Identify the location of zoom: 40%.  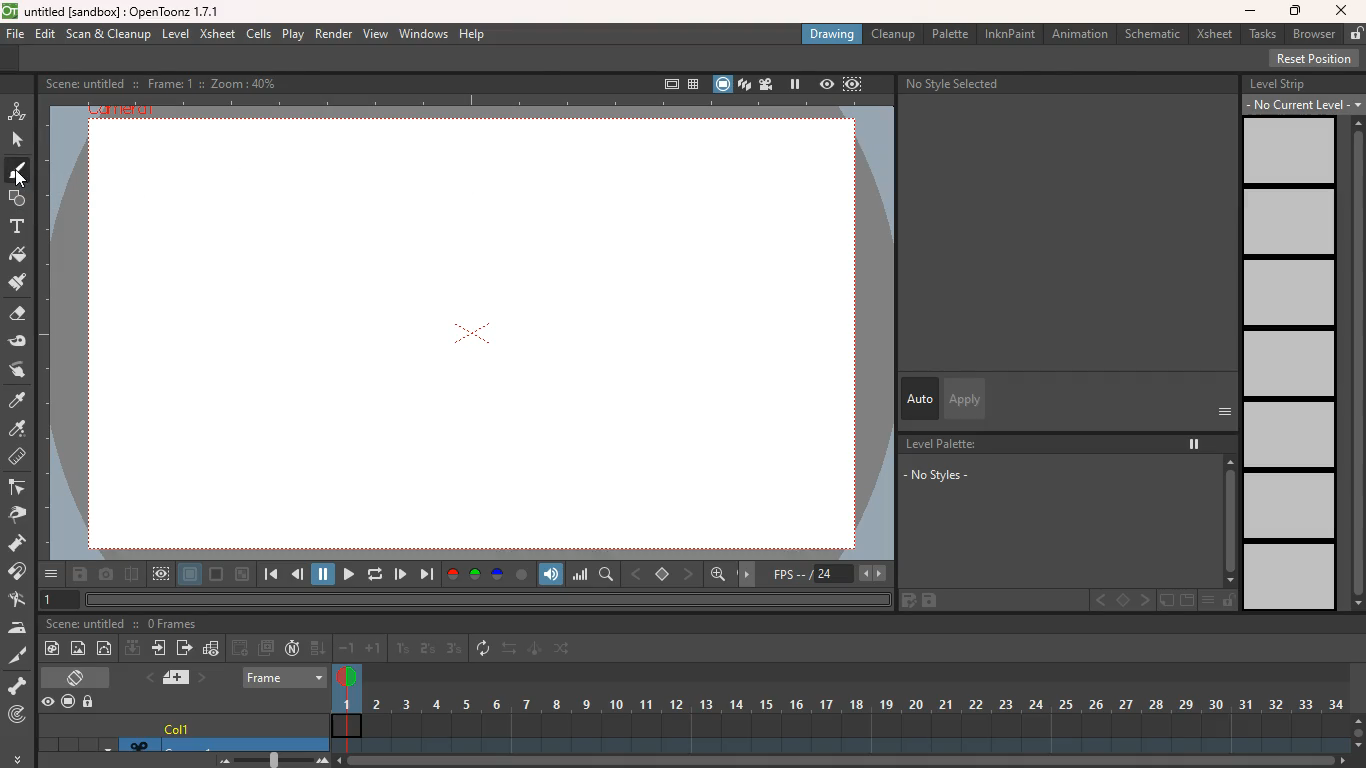
(240, 83).